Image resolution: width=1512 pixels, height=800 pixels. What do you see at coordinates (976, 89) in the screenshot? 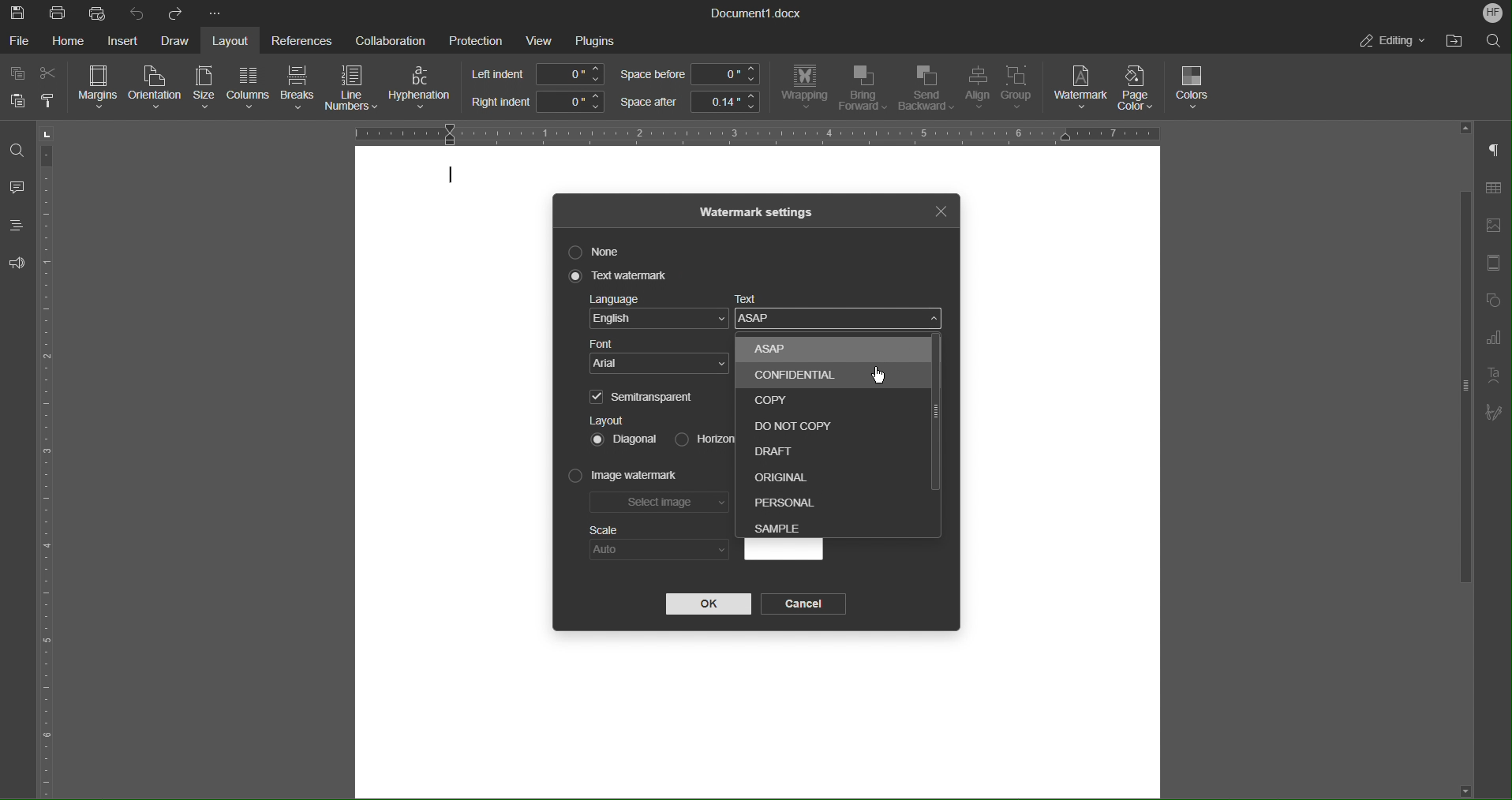
I see `Align` at bounding box center [976, 89].